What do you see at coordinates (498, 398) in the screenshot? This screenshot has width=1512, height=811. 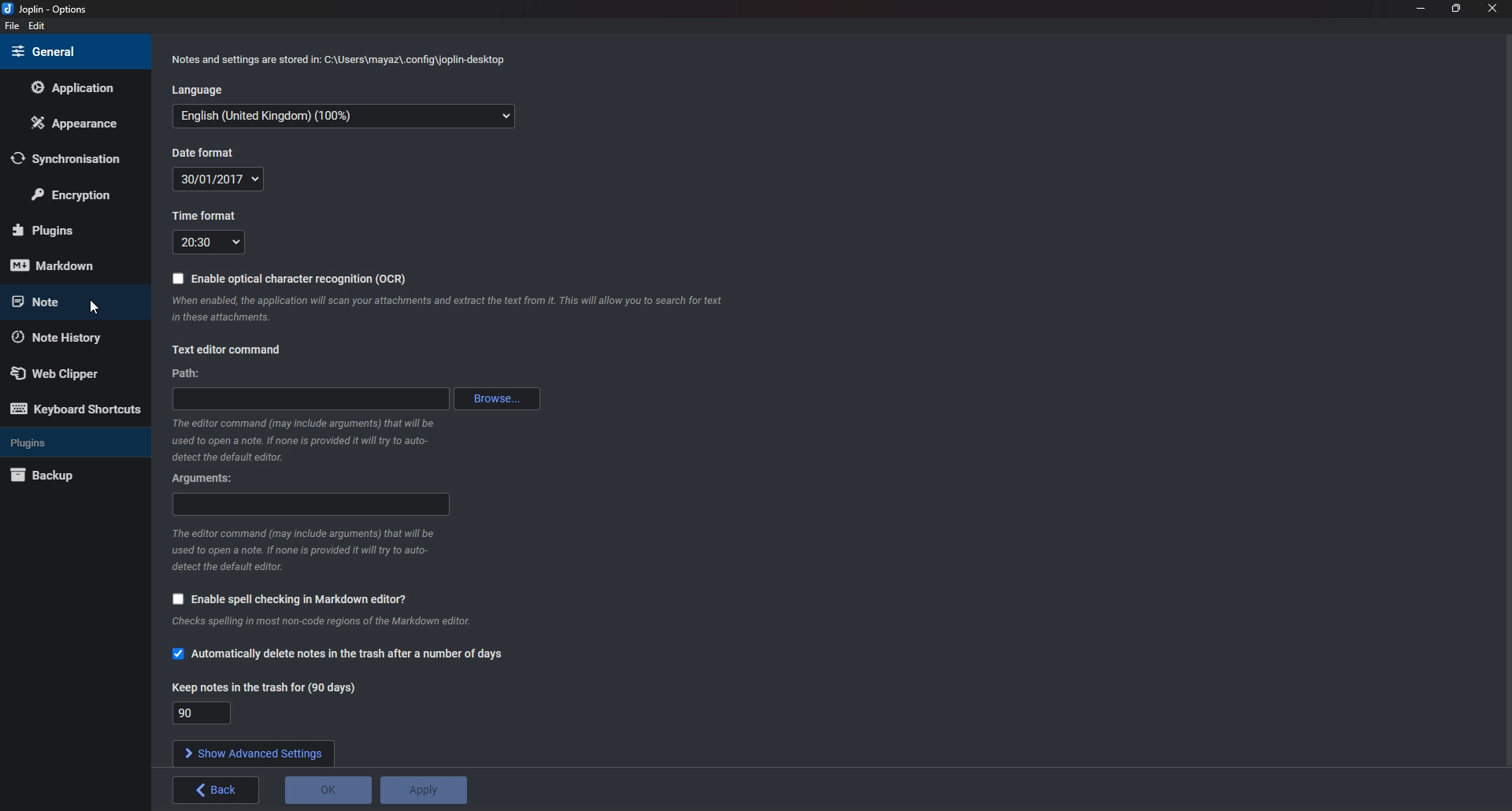 I see `Browse` at bounding box center [498, 398].